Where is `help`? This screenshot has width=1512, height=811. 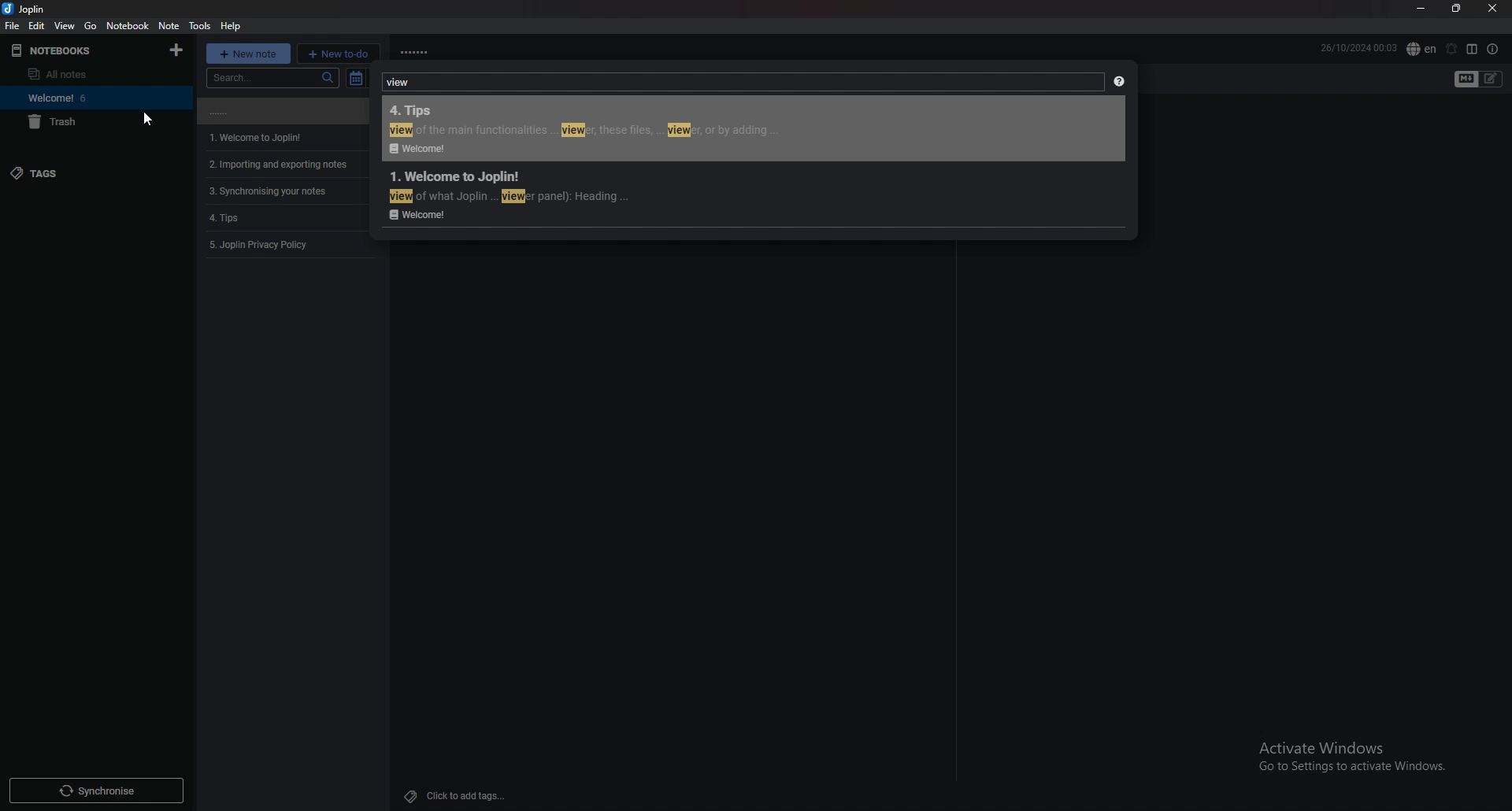
help is located at coordinates (233, 25).